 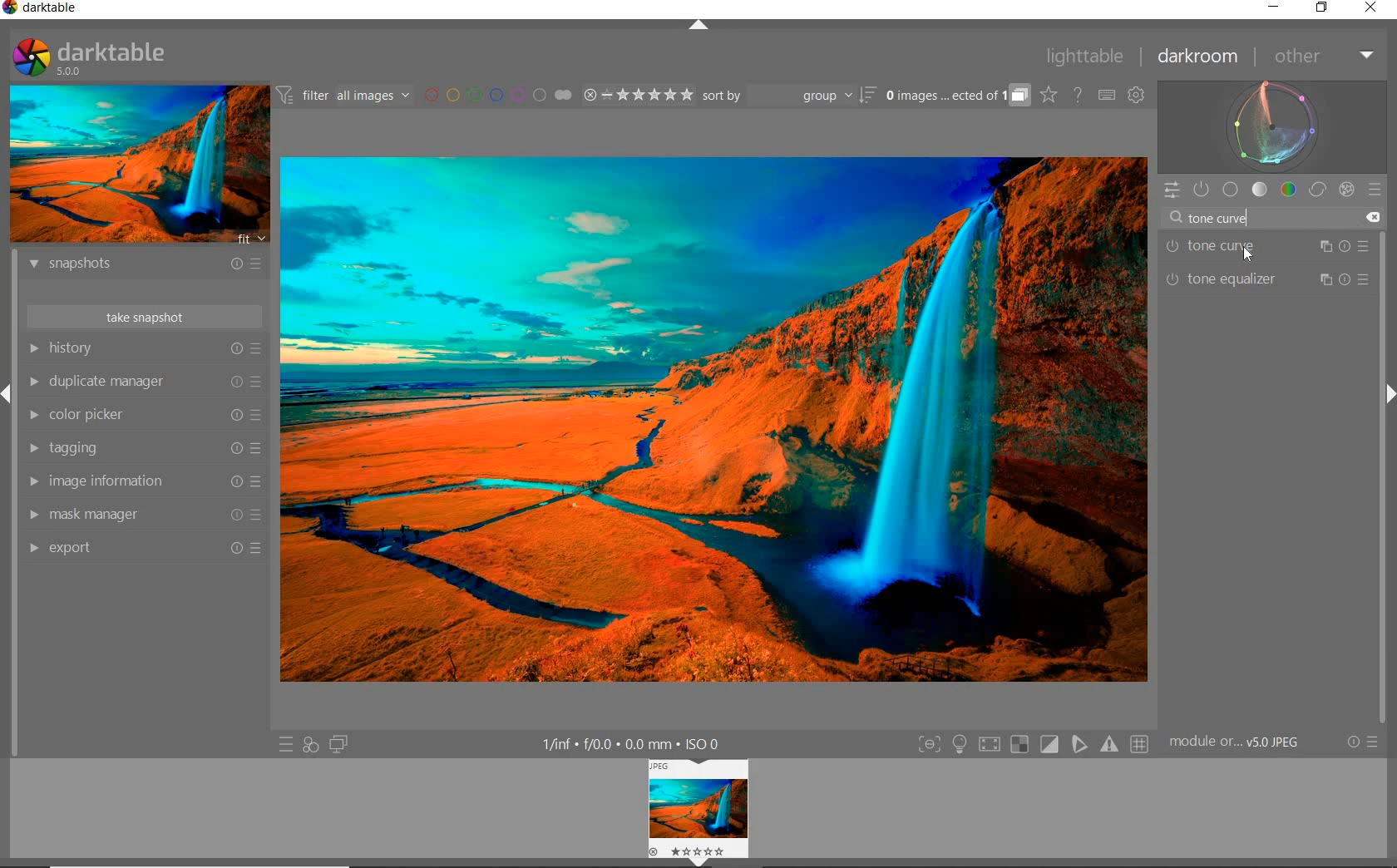 I want to click on EXPAND GROUPED IMAGES, so click(x=958, y=96).